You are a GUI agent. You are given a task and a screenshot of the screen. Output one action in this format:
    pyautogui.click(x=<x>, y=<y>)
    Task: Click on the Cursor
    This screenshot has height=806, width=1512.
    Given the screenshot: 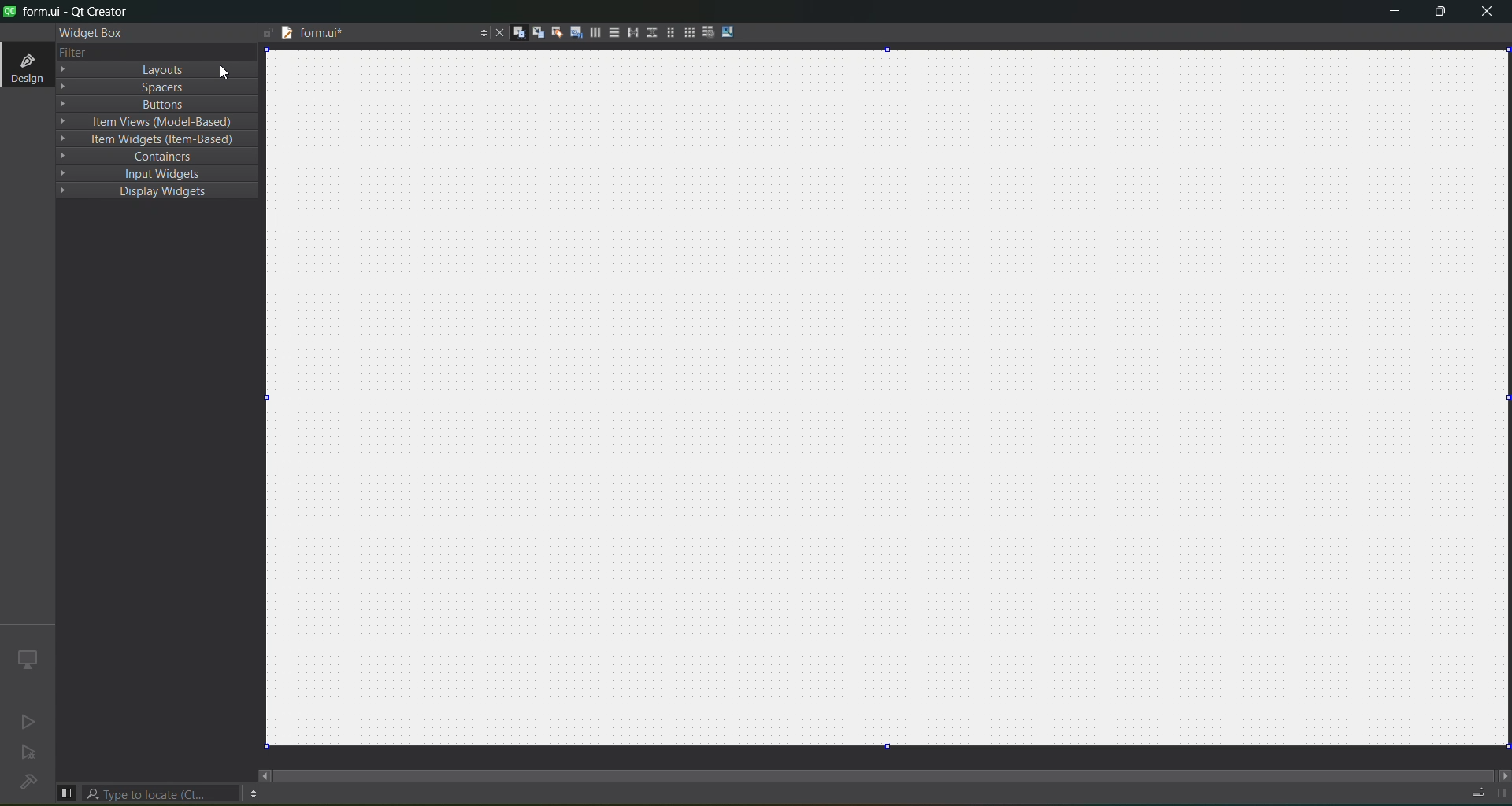 What is the action you would take?
    pyautogui.click(x=228, y=68)
    